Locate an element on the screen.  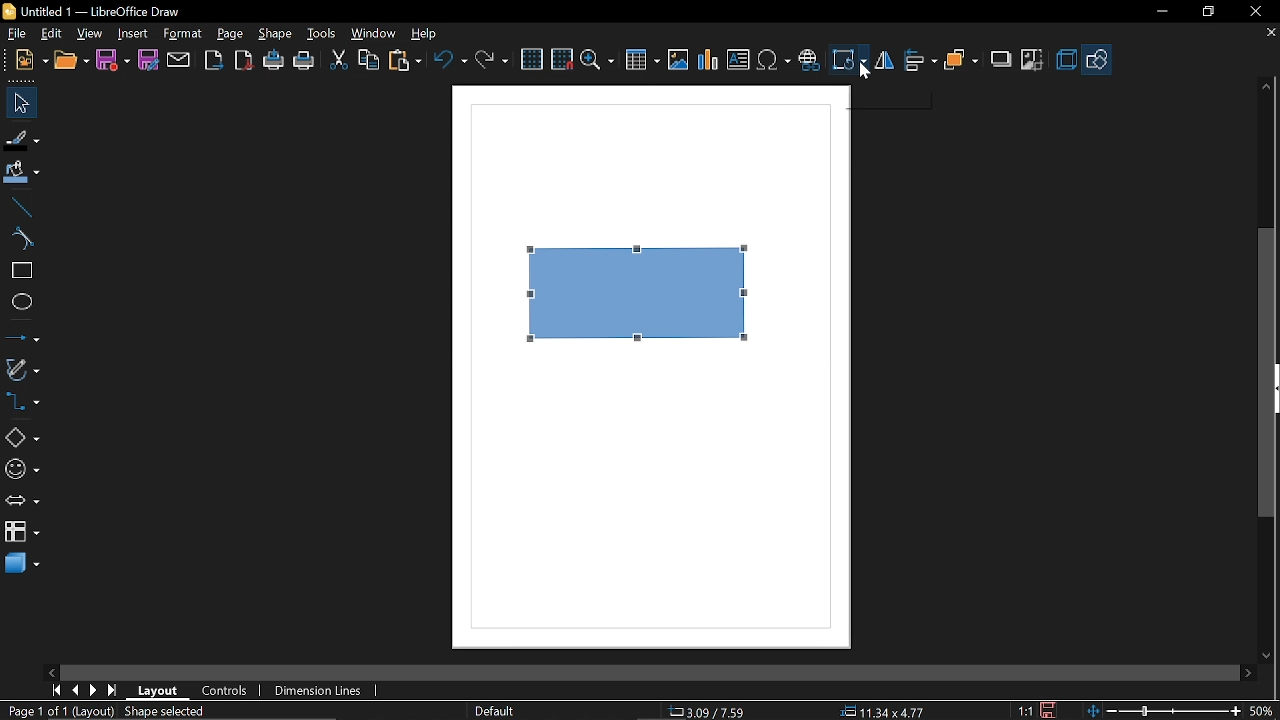
go to last page is located at coordinates (114, 691).